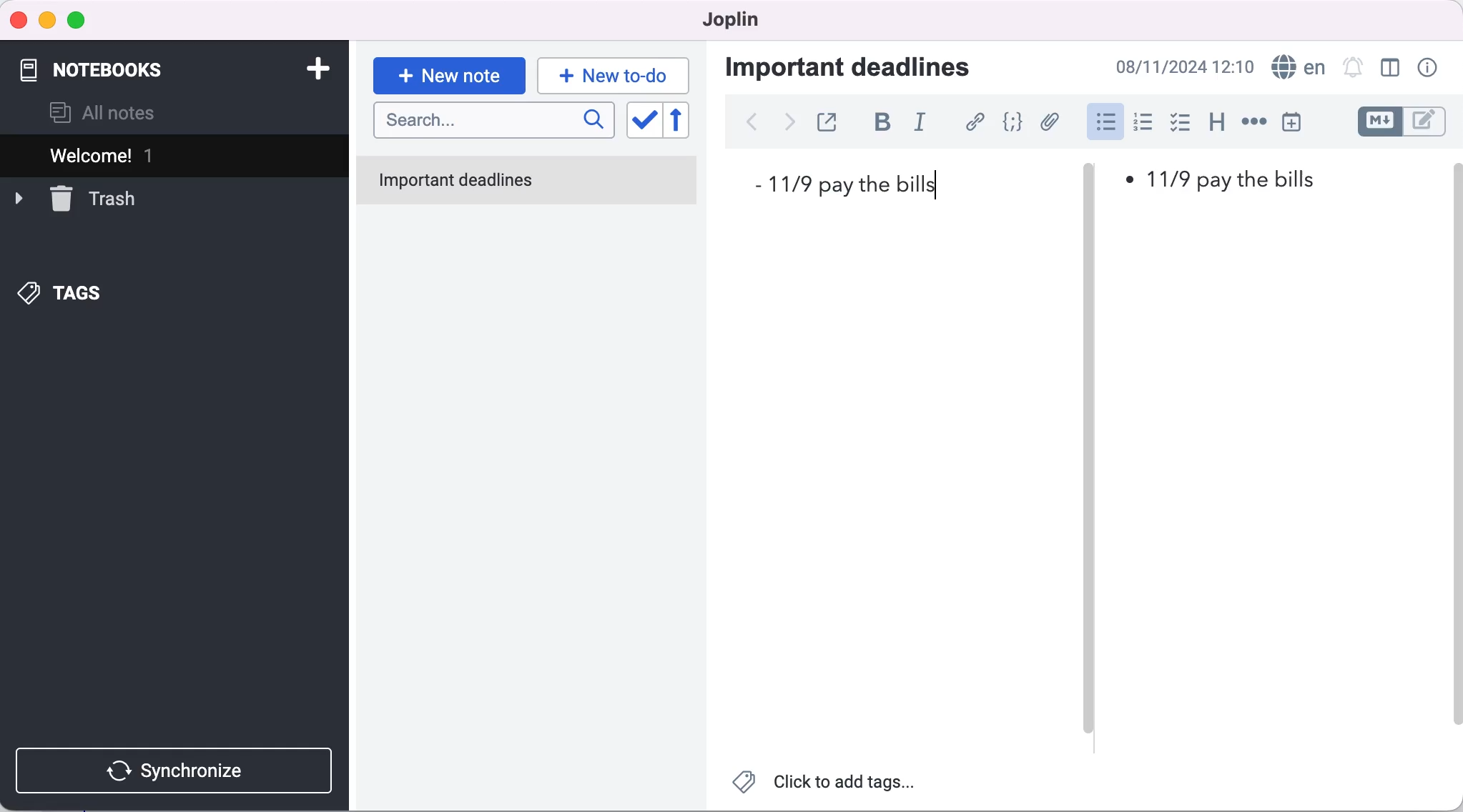 Image resolution: width=1463 pixels, height=812 pixels. What do you see at coordinates (863, 70) in the screenshot?
I see `important deadlines` at bounding box center [863, 70].